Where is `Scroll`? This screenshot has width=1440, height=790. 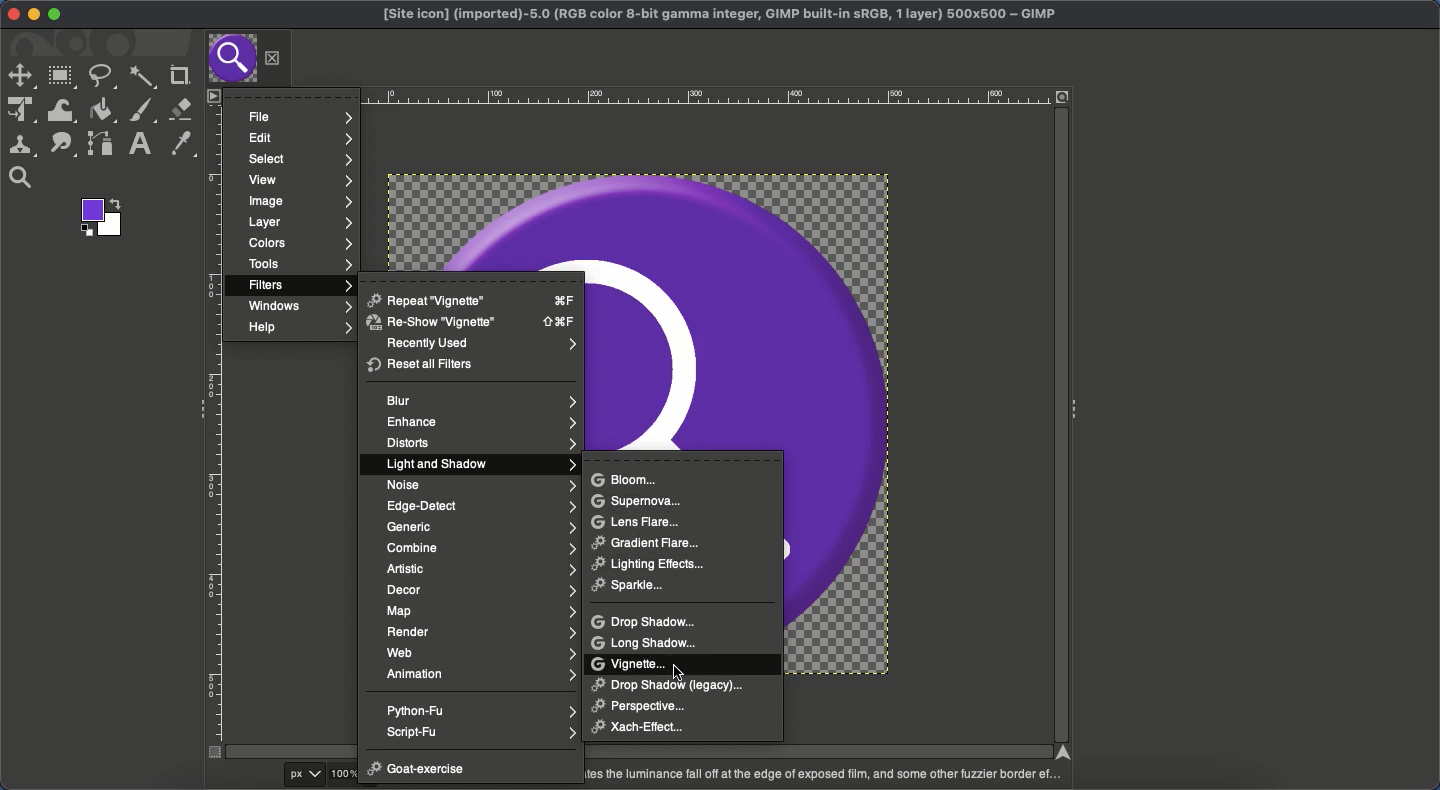 Scroll is located at coordinates (1058, 427).